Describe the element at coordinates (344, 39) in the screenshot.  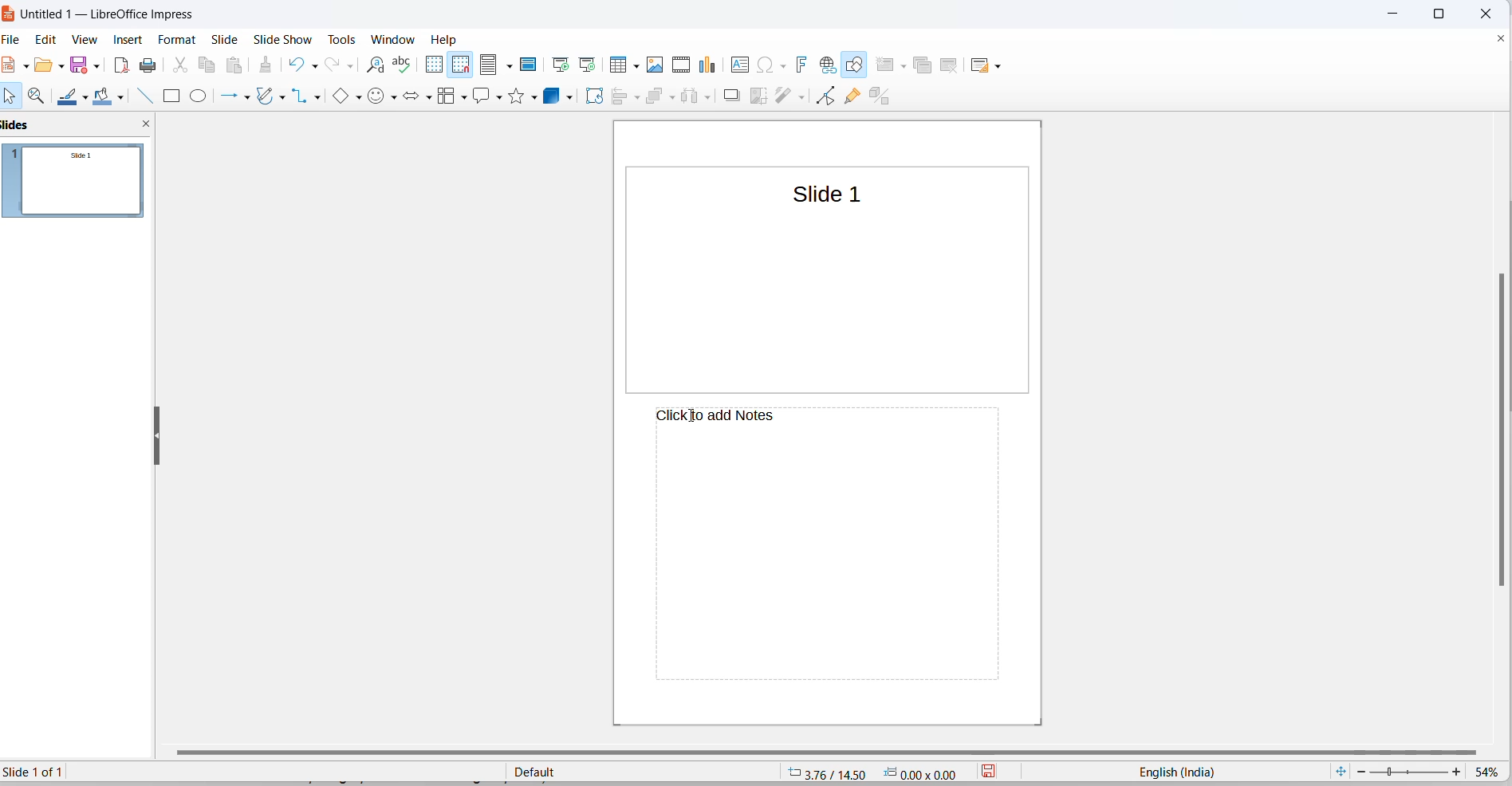
I see `tools` at that location.